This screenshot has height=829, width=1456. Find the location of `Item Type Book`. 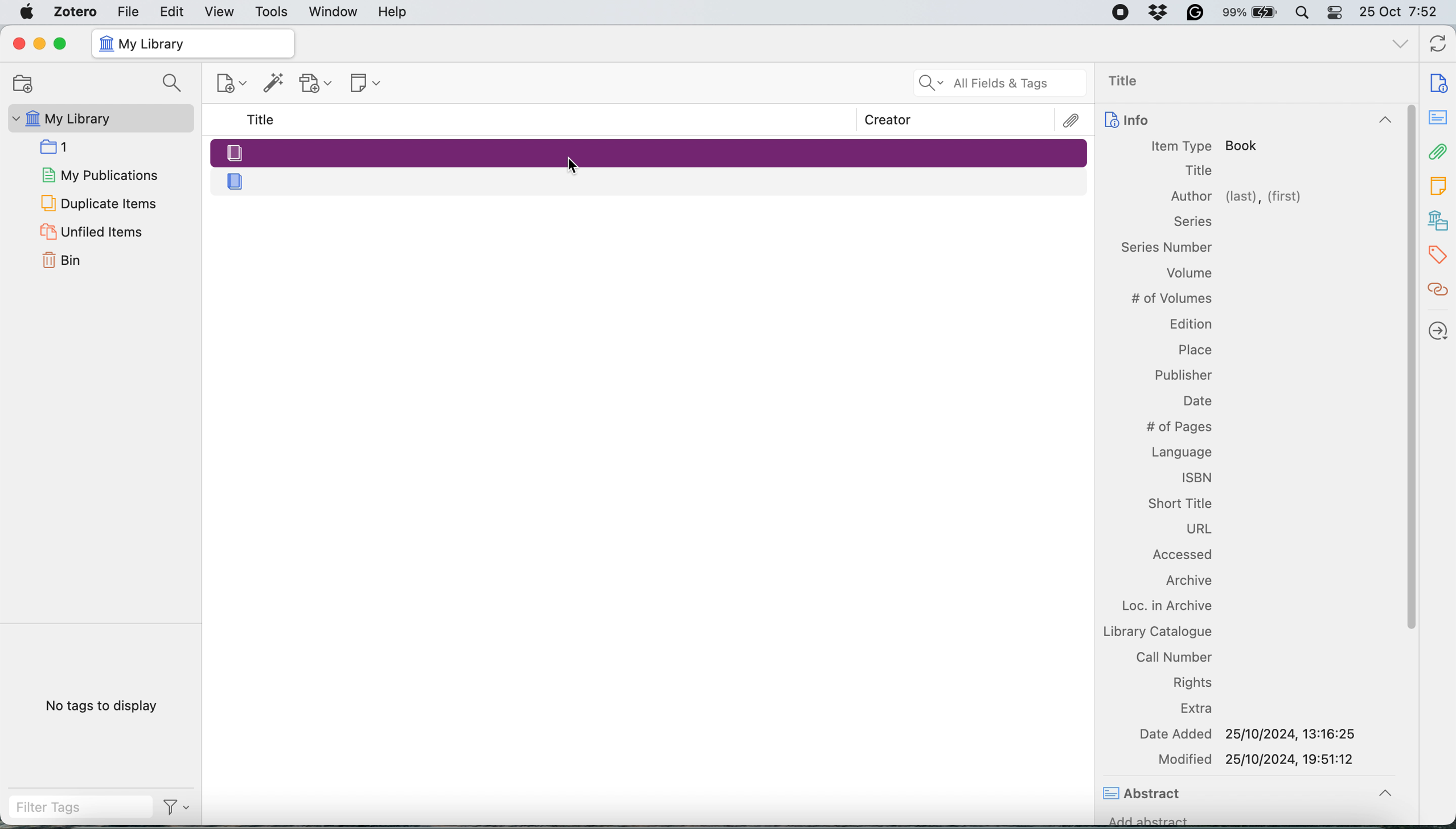

Item Type Book is located at coordinates (1205, 146).